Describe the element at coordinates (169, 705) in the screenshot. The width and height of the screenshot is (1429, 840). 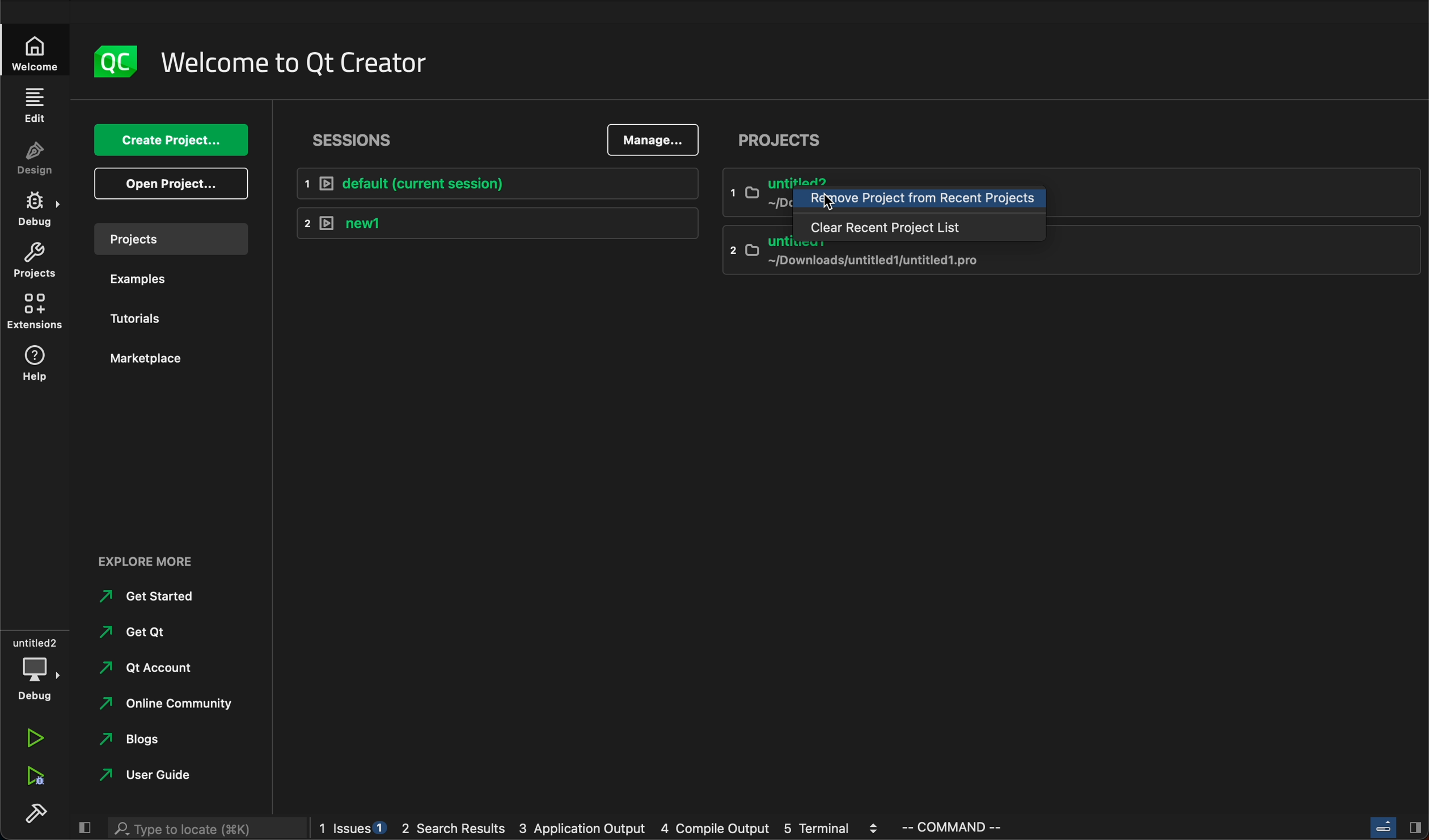
I see `online community` at that location.